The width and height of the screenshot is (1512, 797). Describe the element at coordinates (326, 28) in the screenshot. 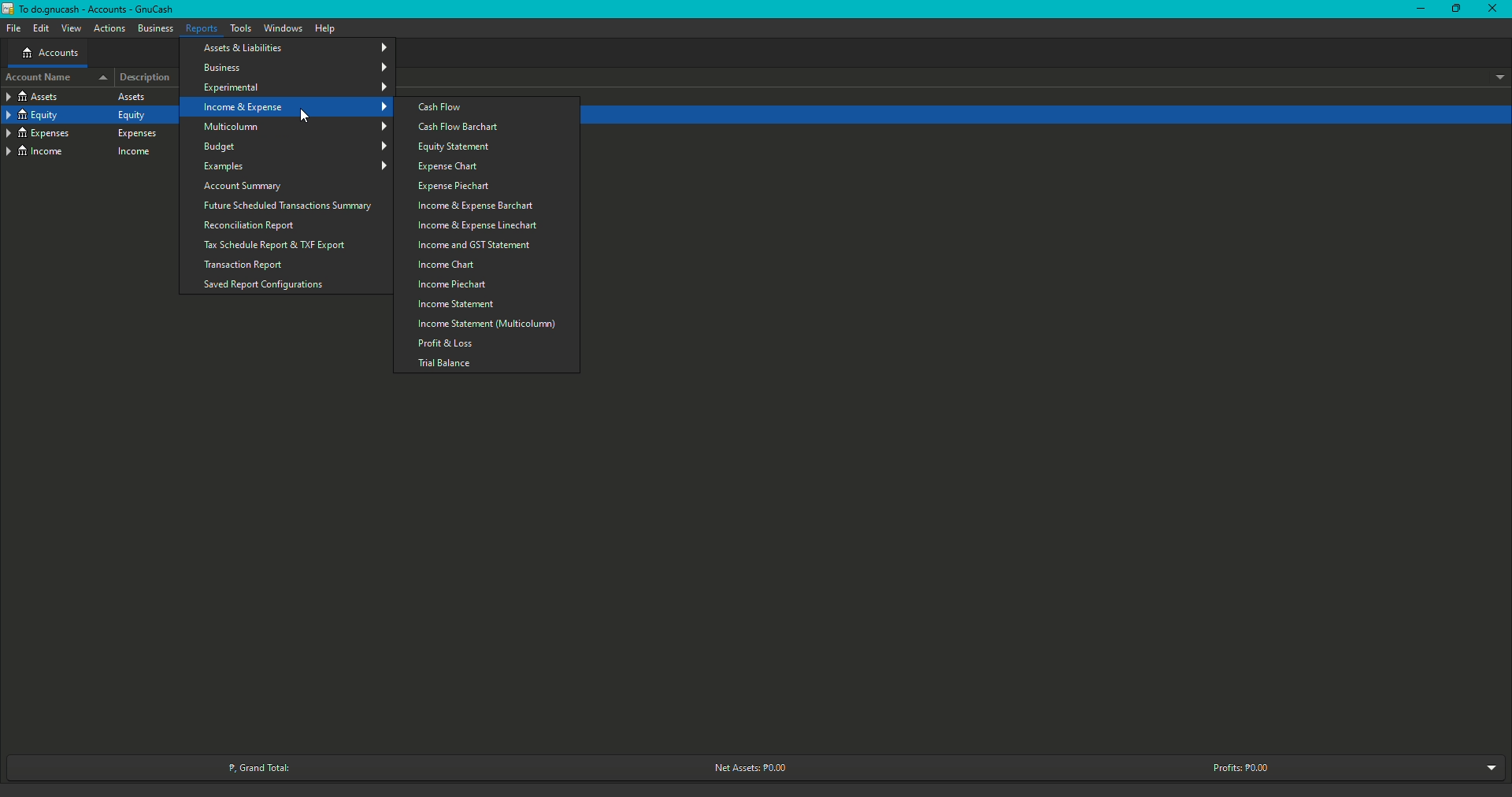

I see `Help` at that location.